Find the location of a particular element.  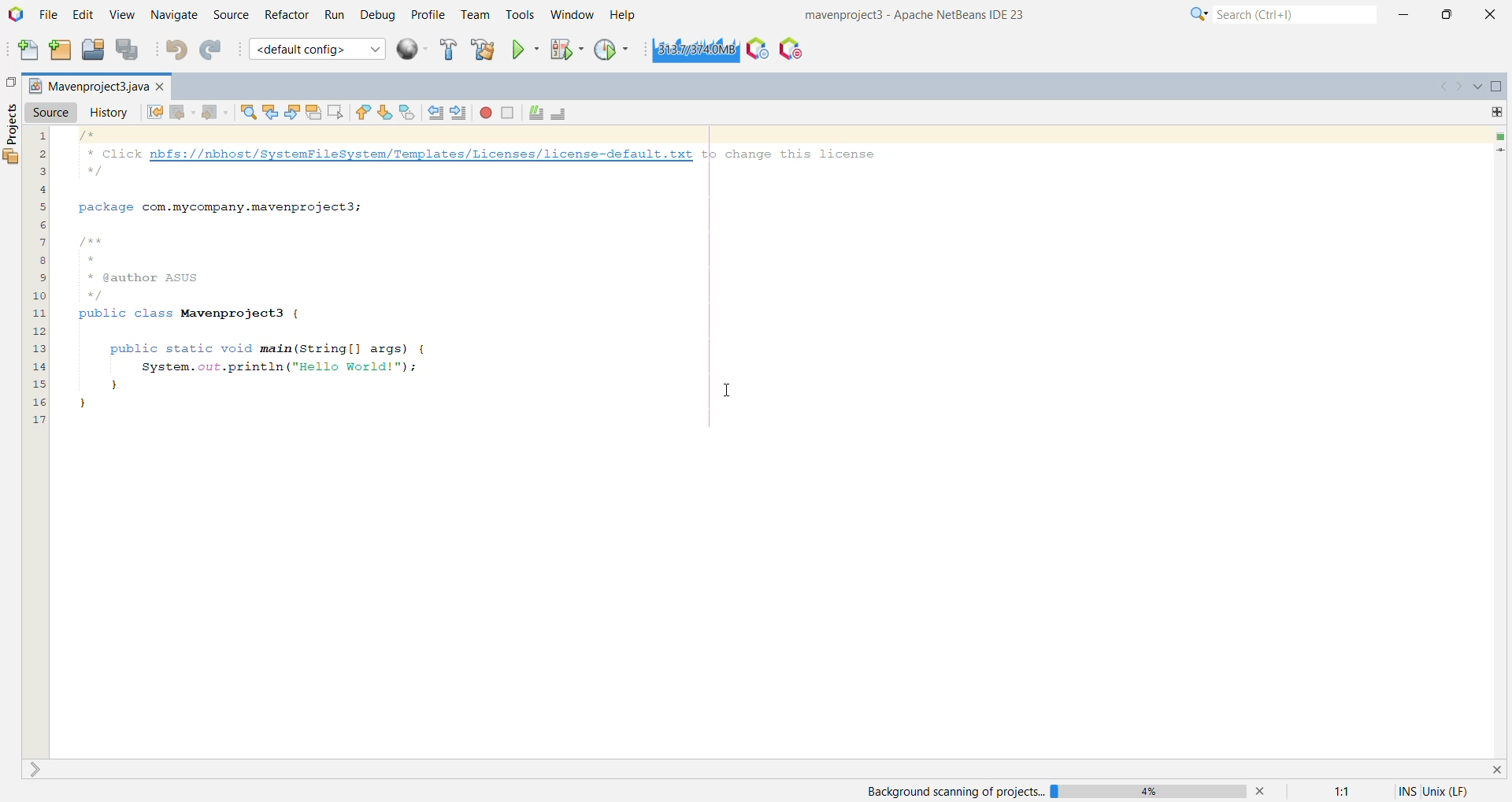

Maximize is located at coordinates (1448, 15).